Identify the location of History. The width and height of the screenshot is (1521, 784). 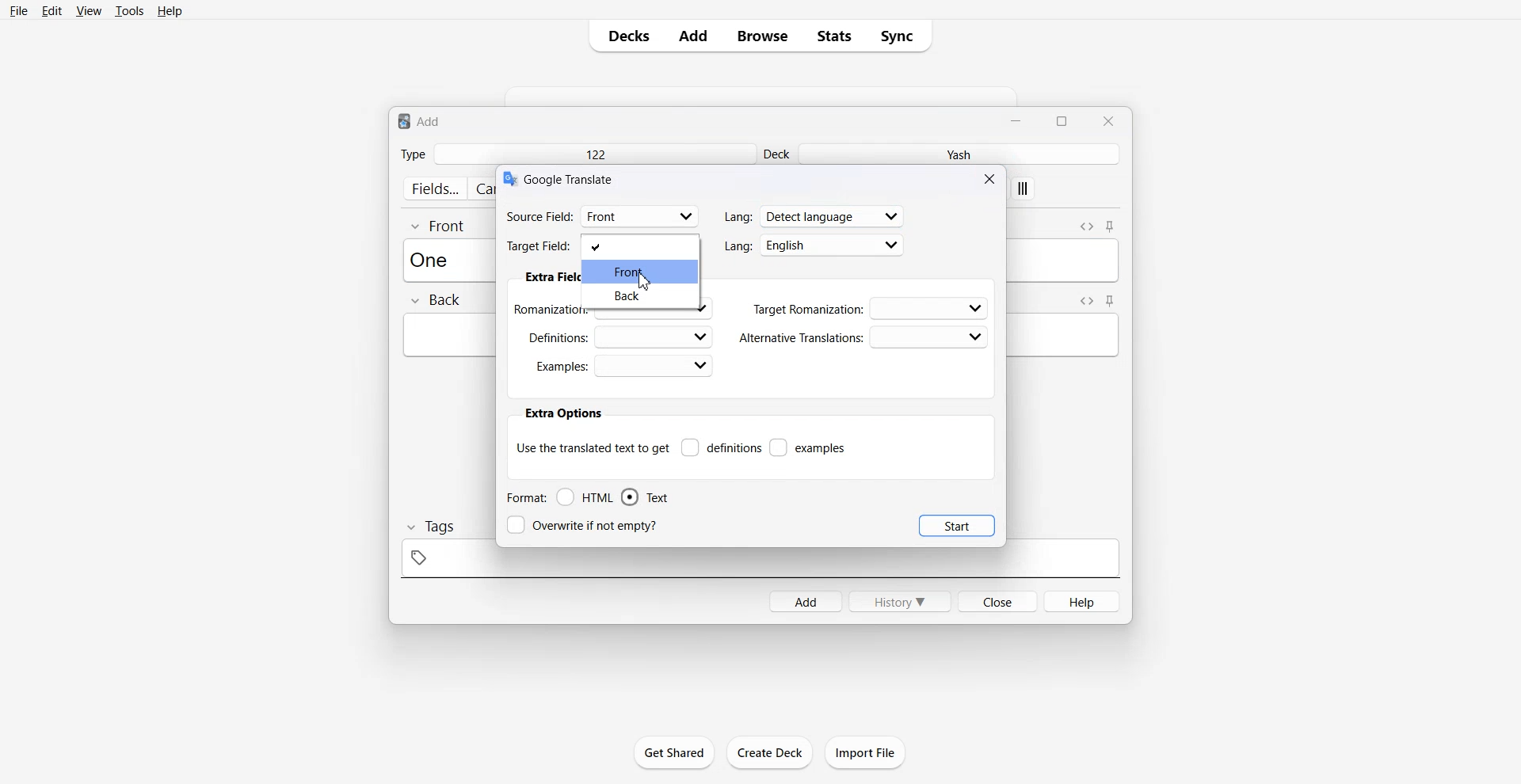
(900, 601).